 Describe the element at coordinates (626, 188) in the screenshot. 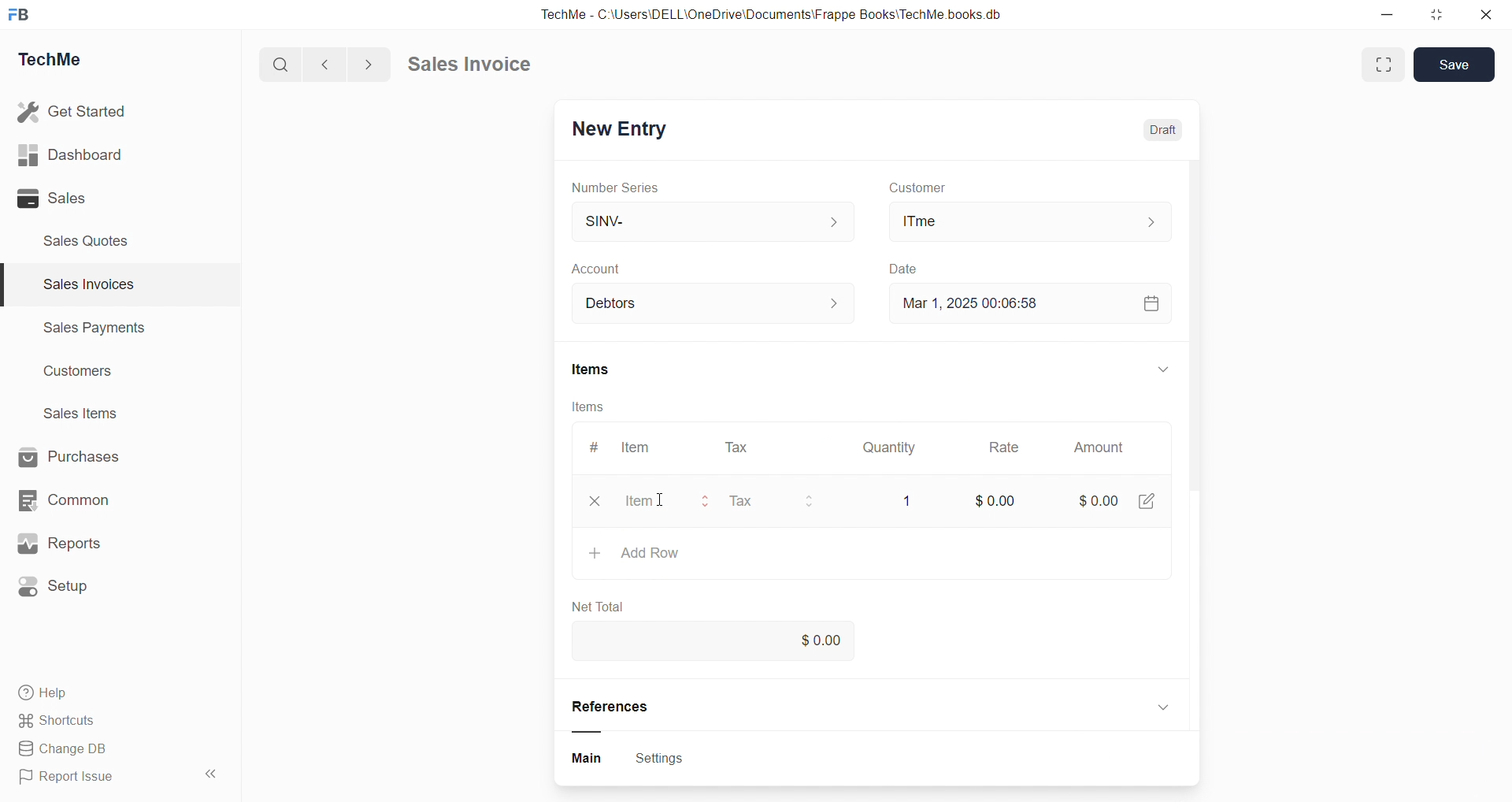

I see `Number Series` at that location.